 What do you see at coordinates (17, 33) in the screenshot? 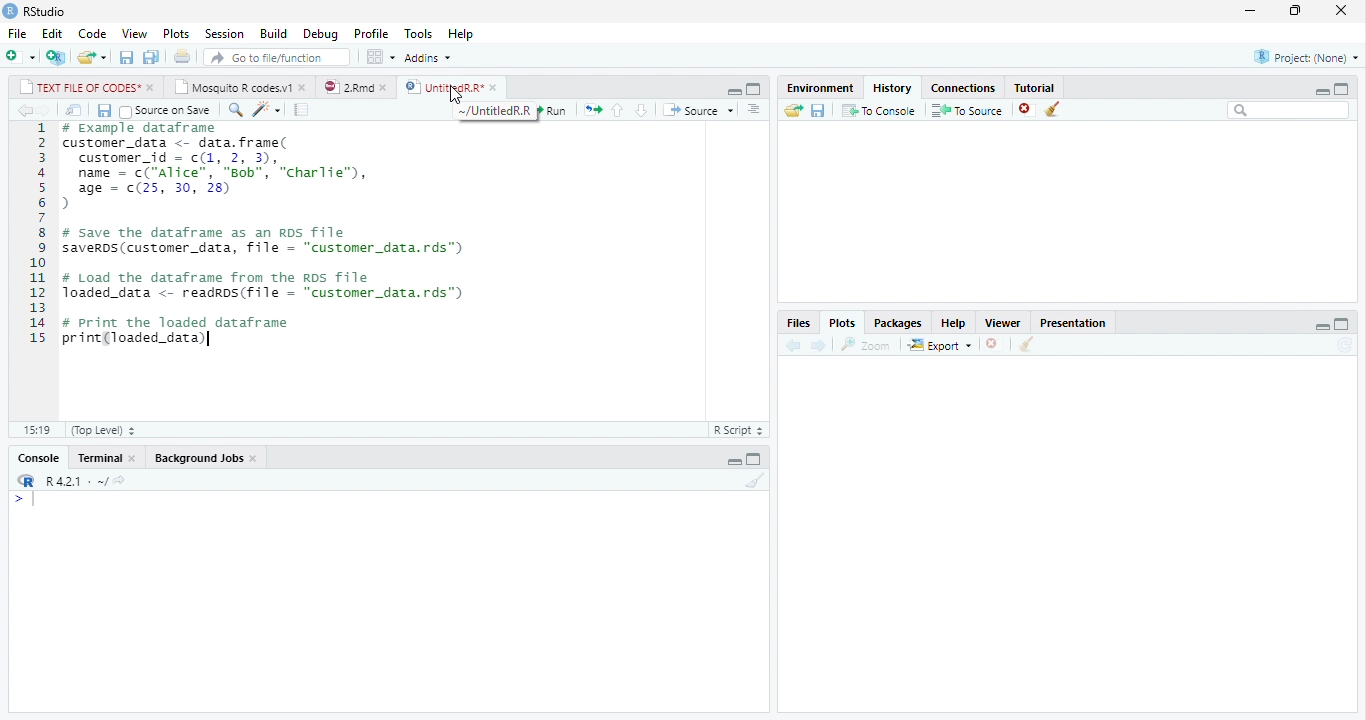
I see `File` at bounding box center [17, 33].